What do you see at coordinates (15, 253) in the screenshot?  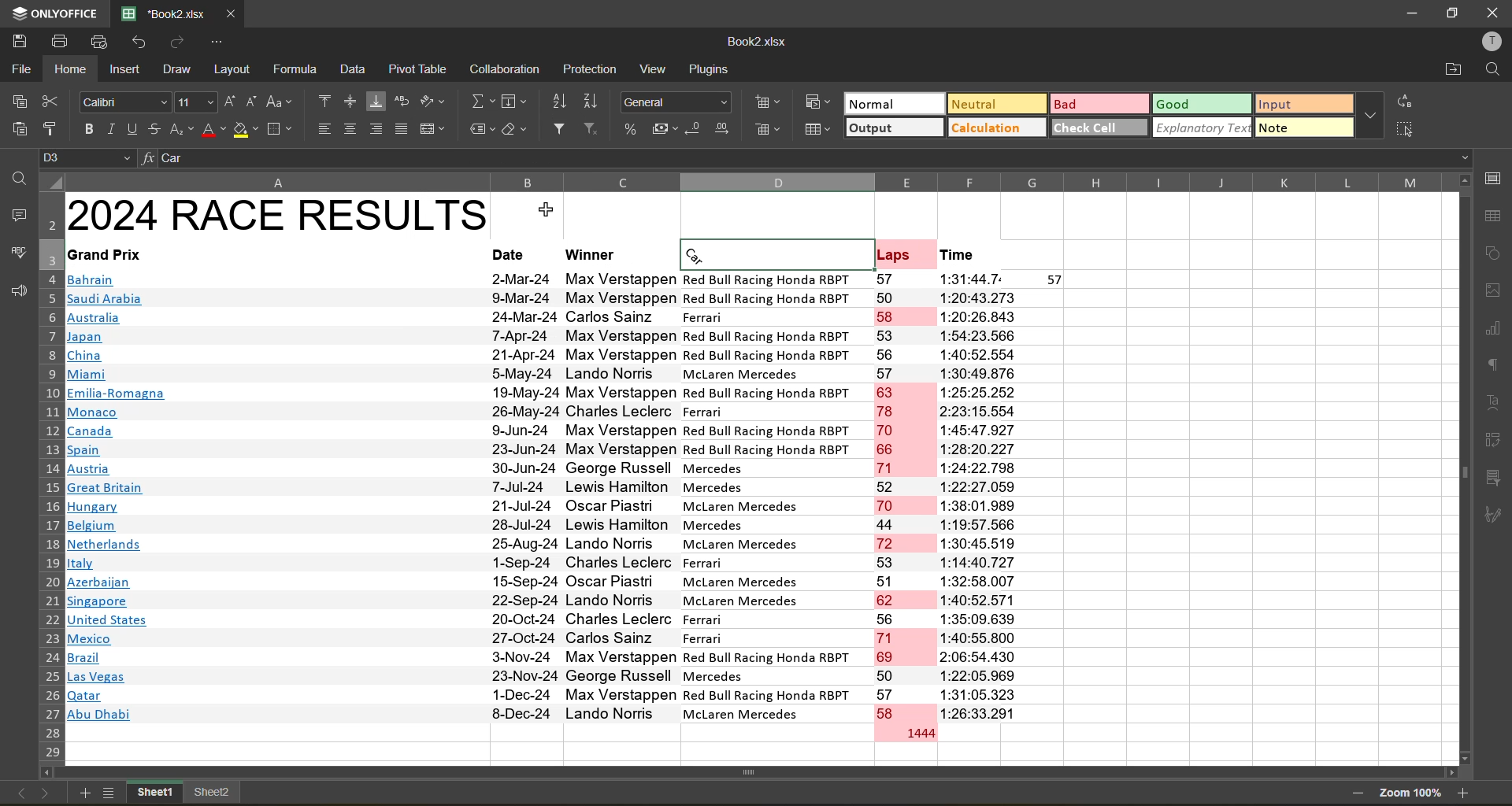 I see `spellcheck` at bounding box center [15, 253].